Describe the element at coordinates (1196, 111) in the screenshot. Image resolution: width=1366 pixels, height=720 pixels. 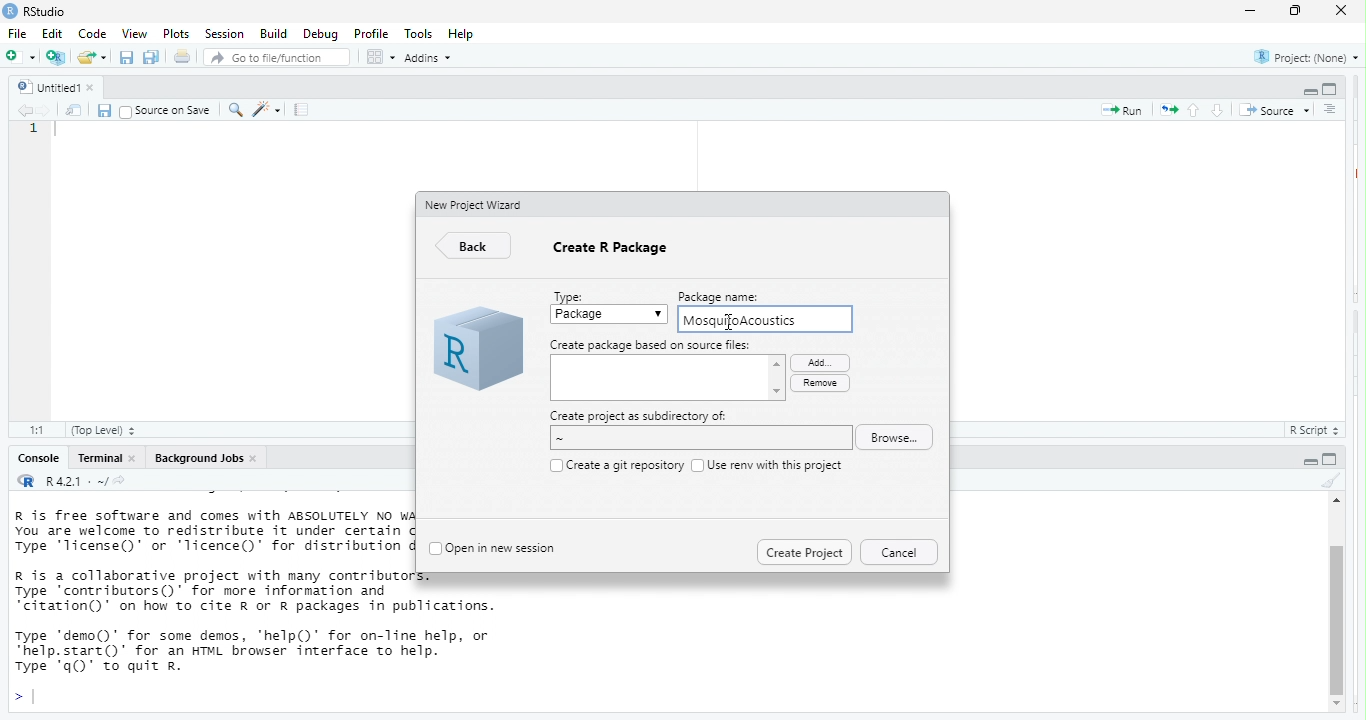
I see `go to previous section/chunk` at that location.